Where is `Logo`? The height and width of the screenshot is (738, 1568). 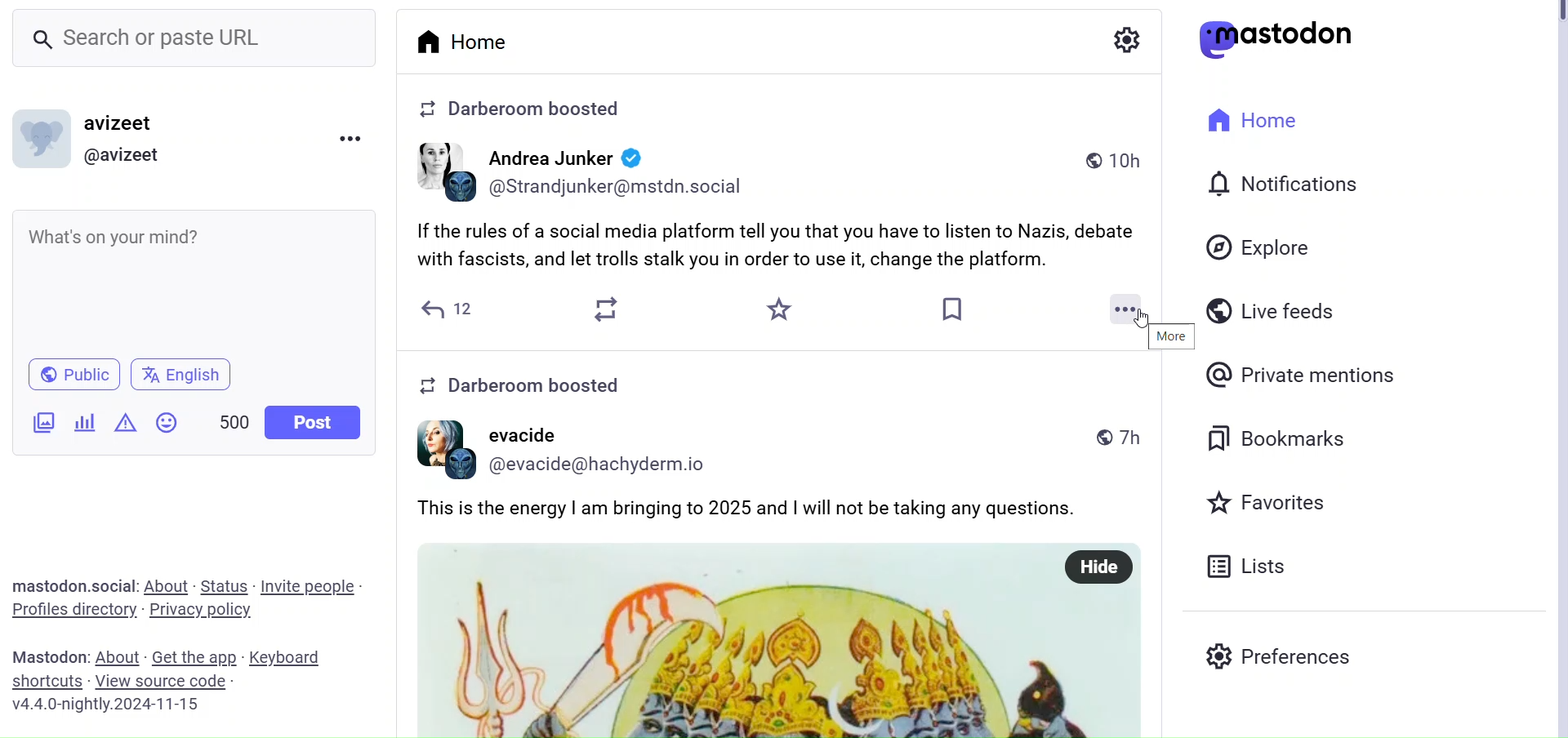
Logo is located at coordinates (1276, 38).